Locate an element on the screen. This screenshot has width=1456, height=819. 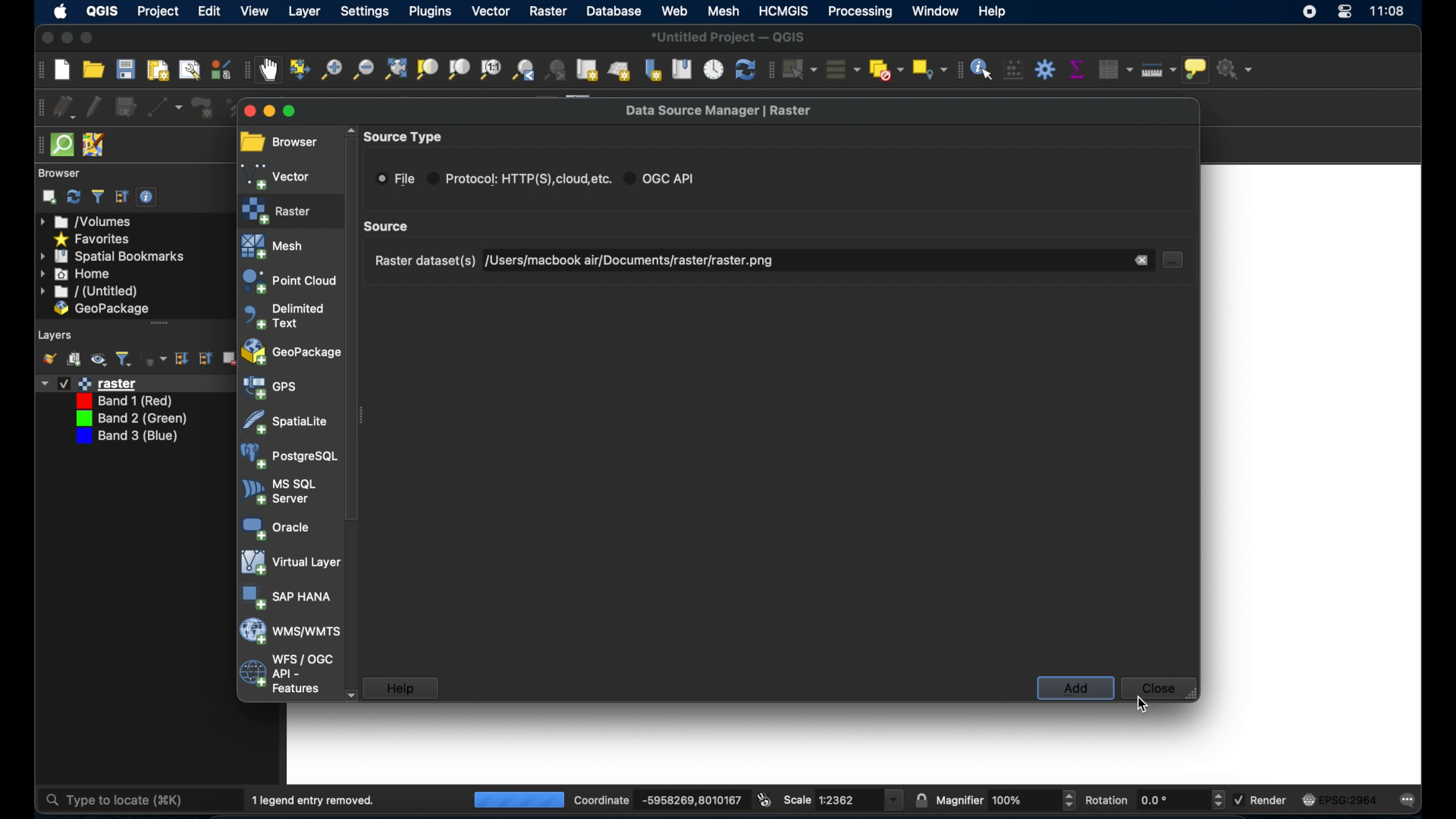
magnifier is located at coordinates (959, 799).